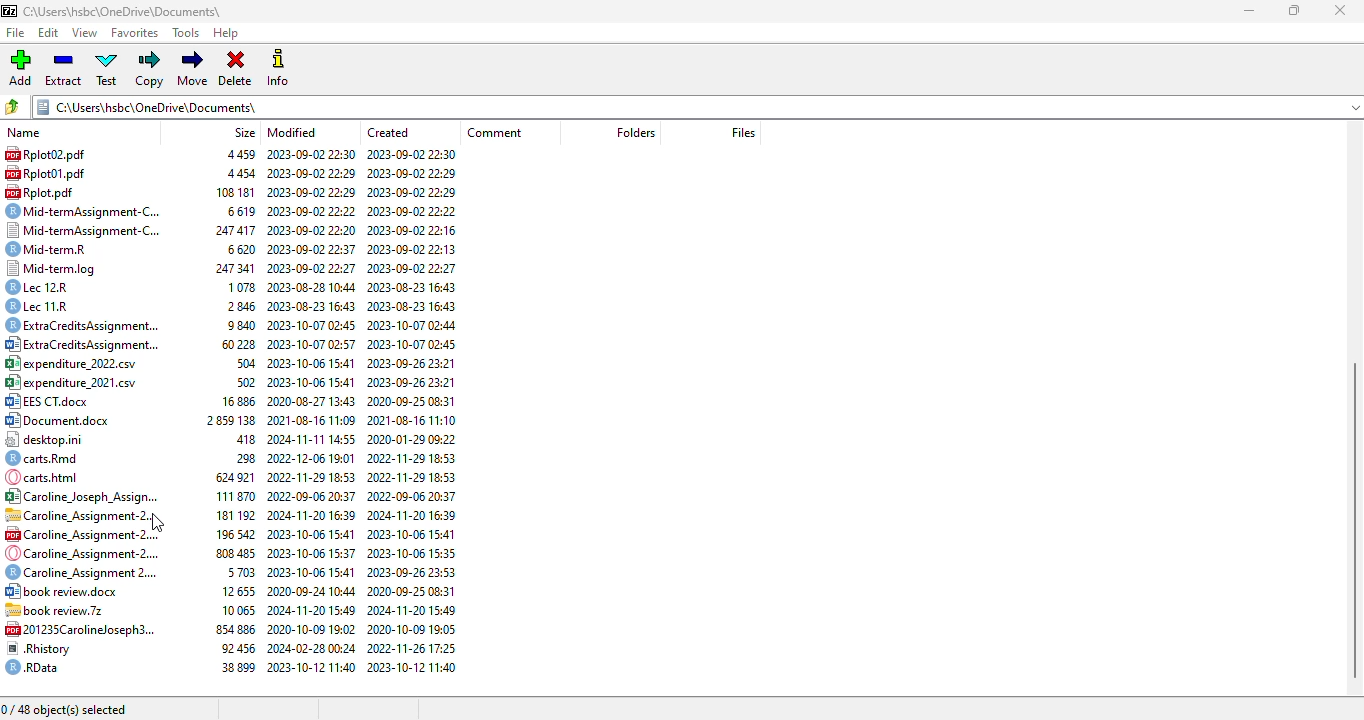 This screenshot has height=720, width=1364. What do you see at coordinates (312, 401) in the screenshot?
I see `2020-08-27 13:43` at bounding box center [312, 401].